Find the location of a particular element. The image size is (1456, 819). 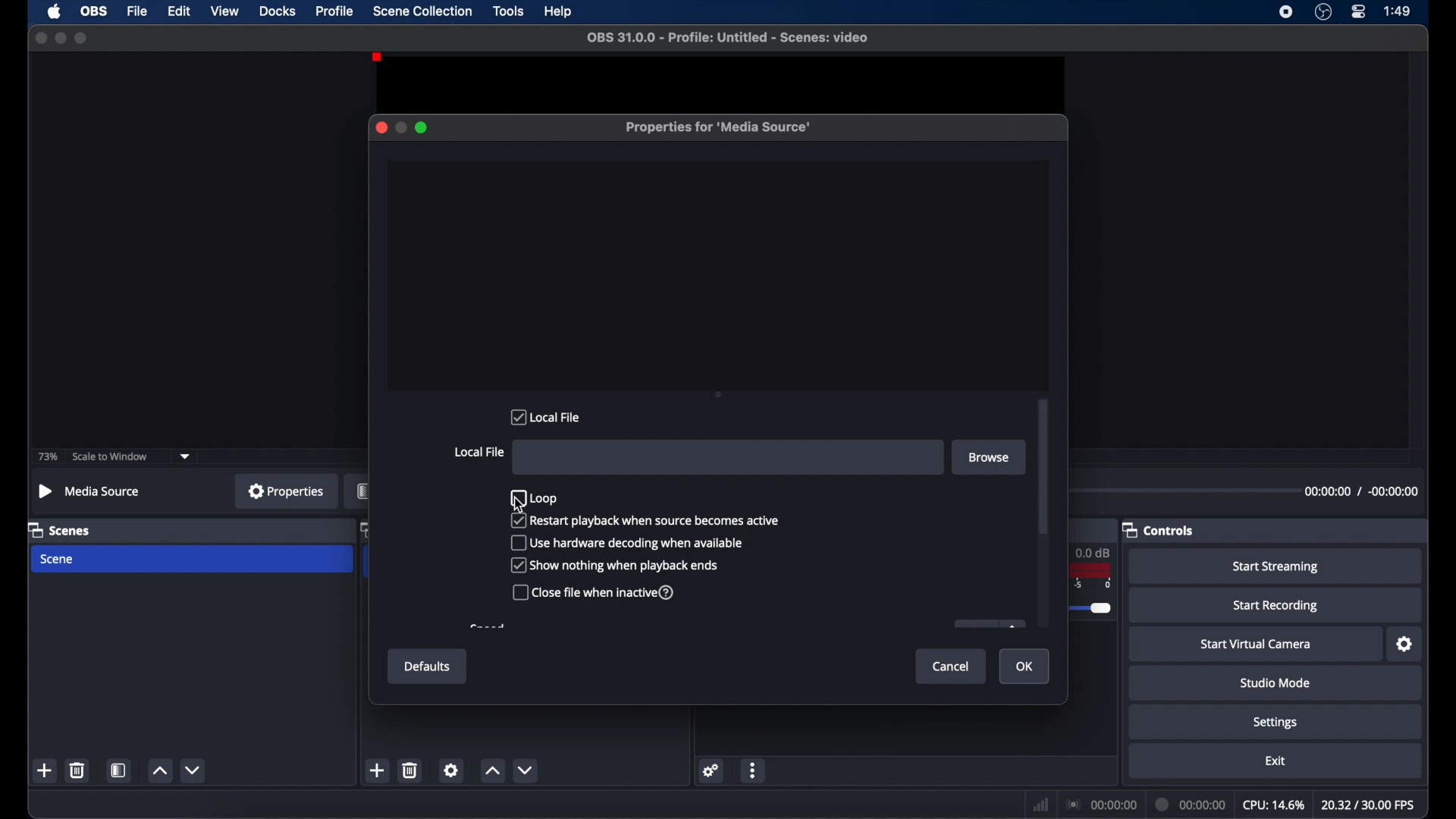

close is located at coordinates (40, 38).